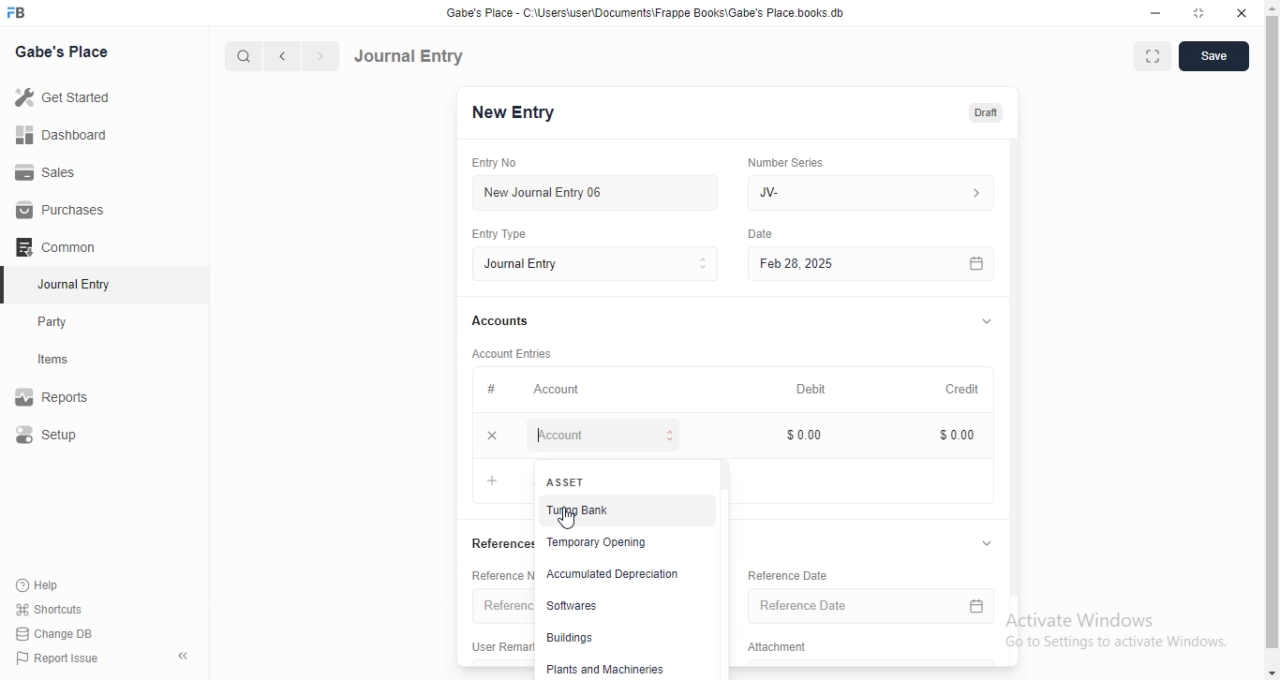  I want to click on ‘Number Series, so click(794, 159).